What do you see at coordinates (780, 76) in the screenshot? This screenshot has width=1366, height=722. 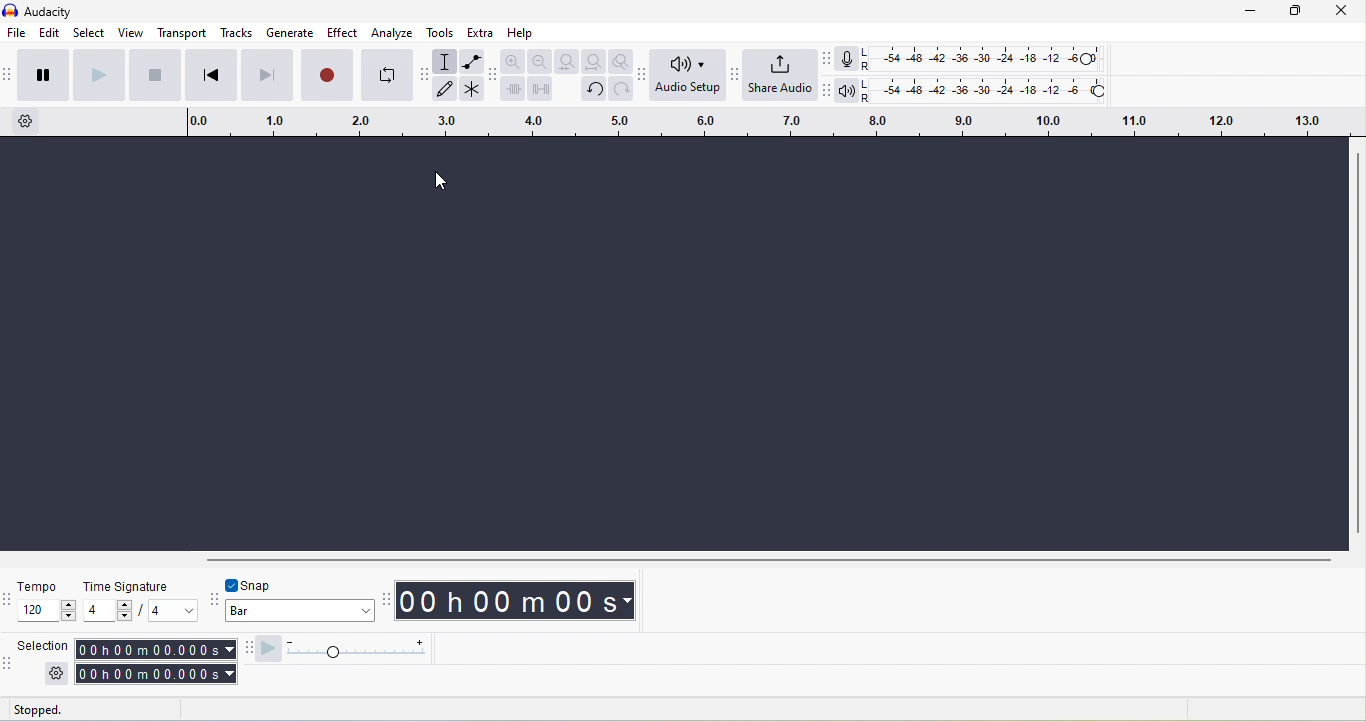 I see `share audio` at bounding box center [780, 76].